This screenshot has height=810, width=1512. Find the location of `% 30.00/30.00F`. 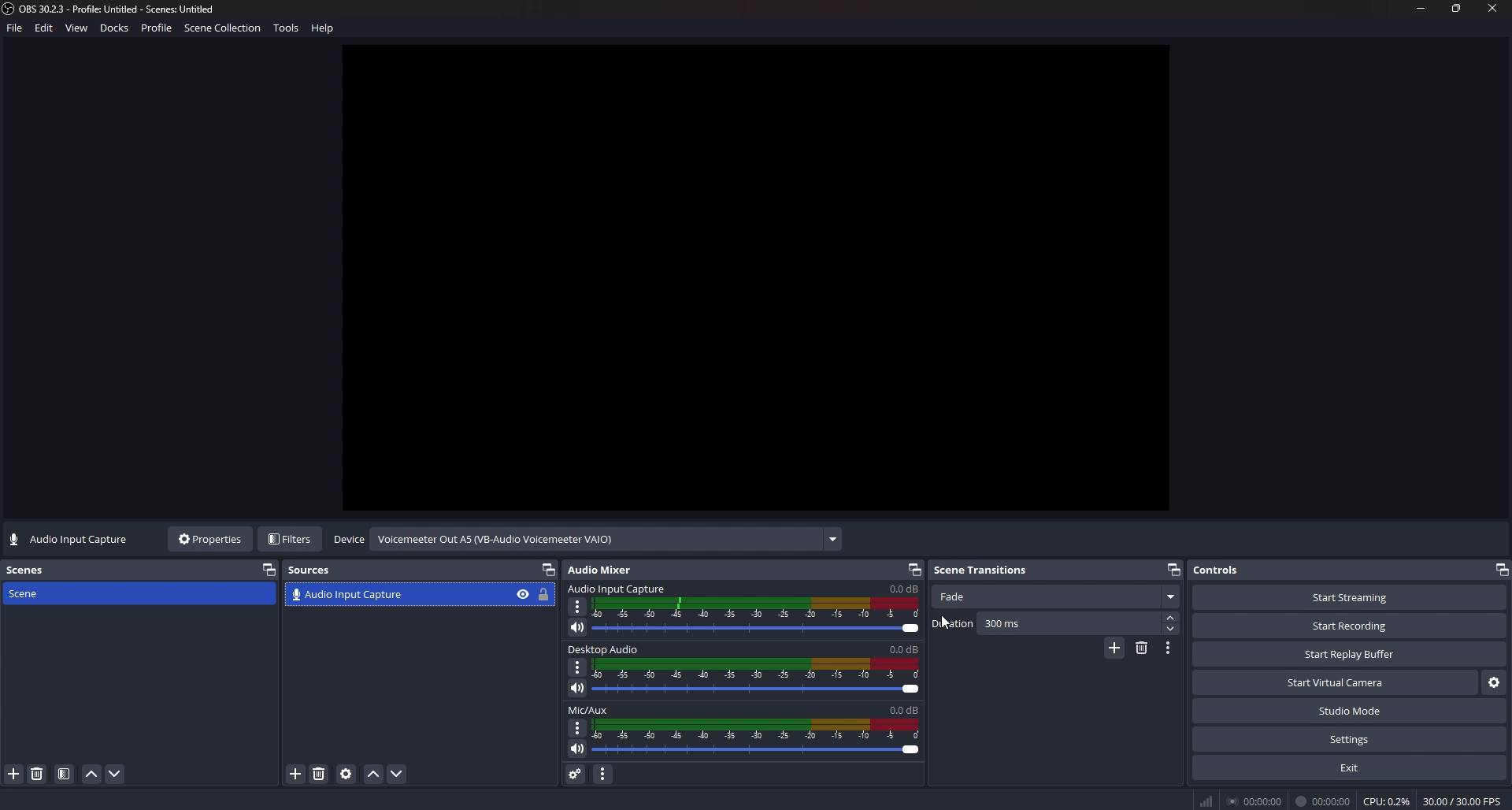

% 30.00/30.00F is located at coordinates (1466, 801).